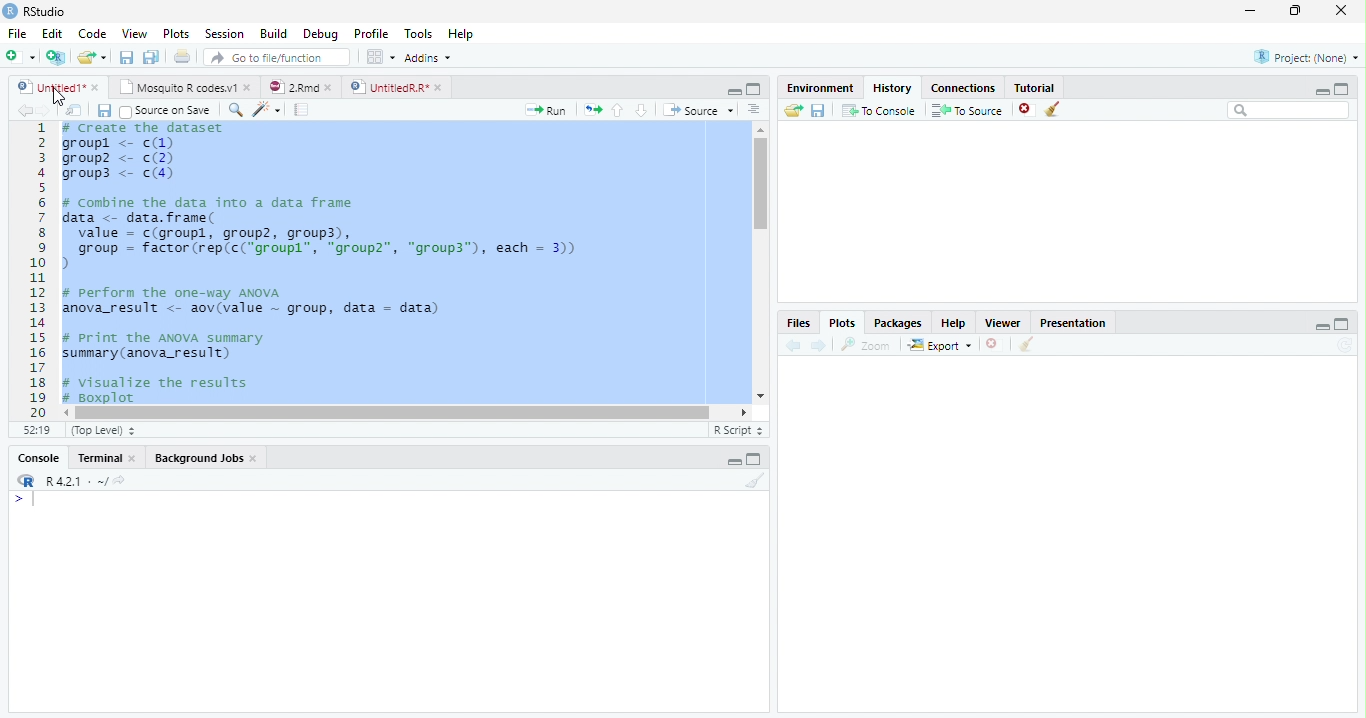  Describe the element at coordinates (59, 87) in the screenshot. I see `Untitled` at that location.